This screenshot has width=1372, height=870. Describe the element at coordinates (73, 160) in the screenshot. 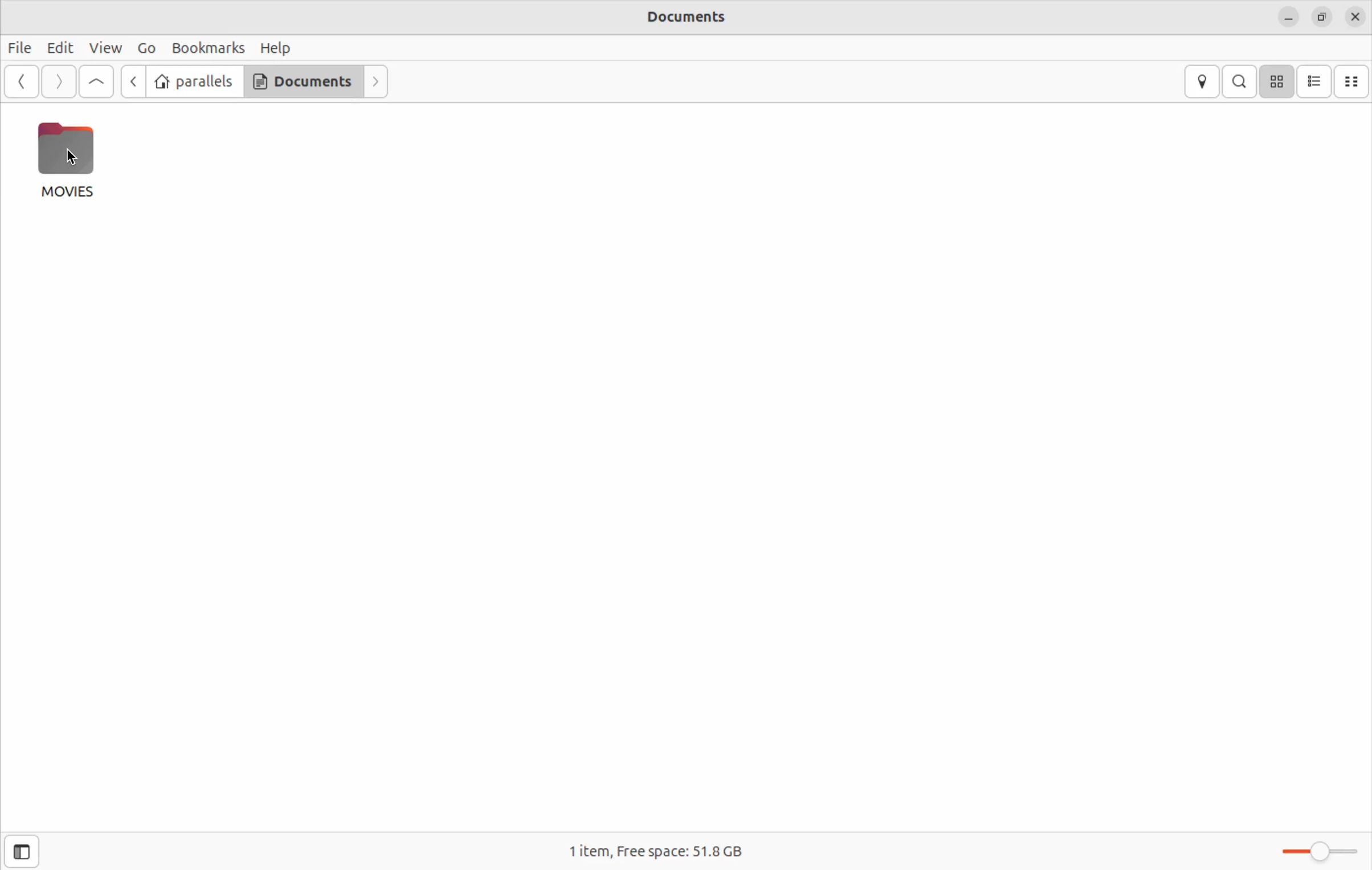

I see `Movies` at that location.